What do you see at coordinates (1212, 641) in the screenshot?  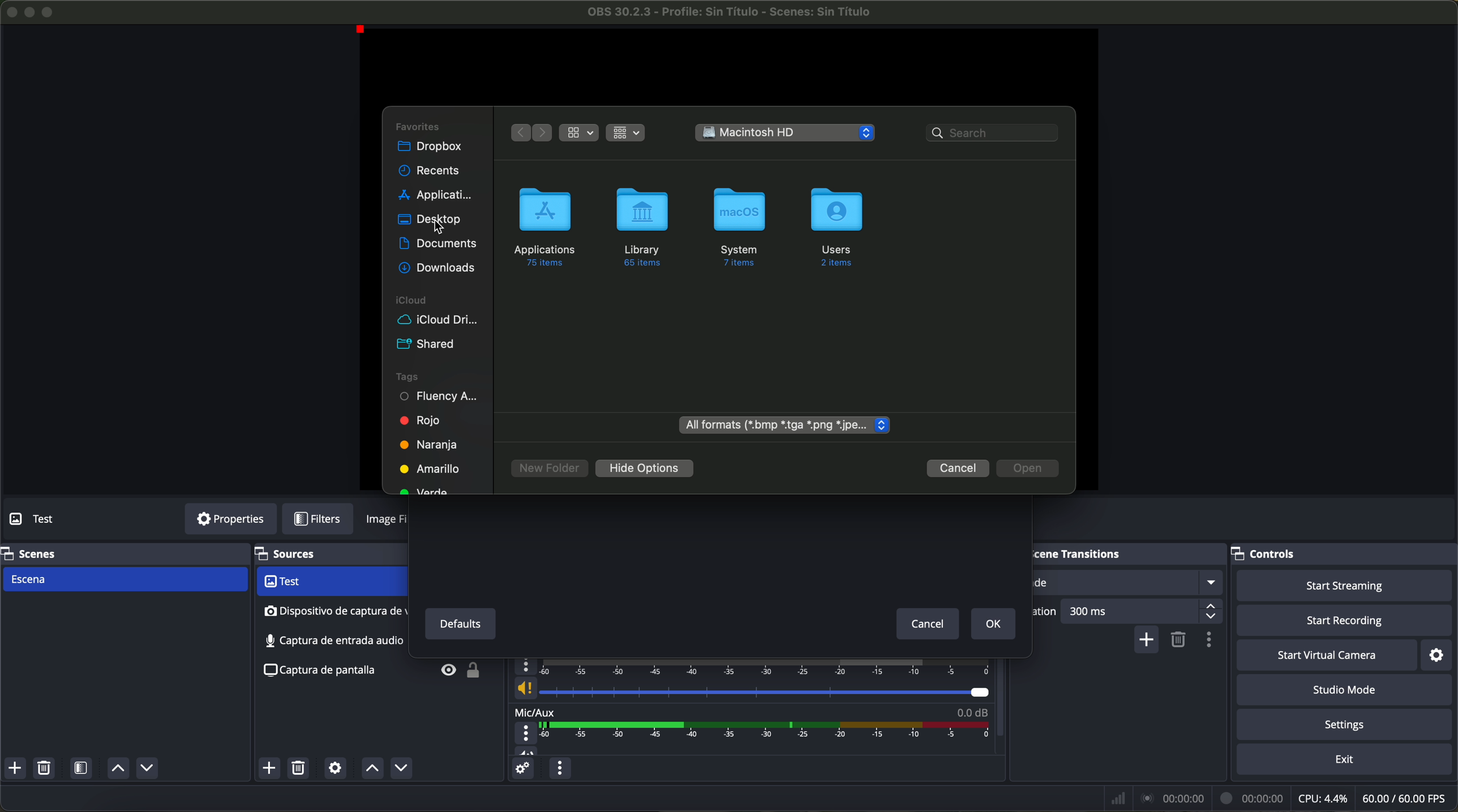 I see `transition properties` at bounding box center [1212, 641].